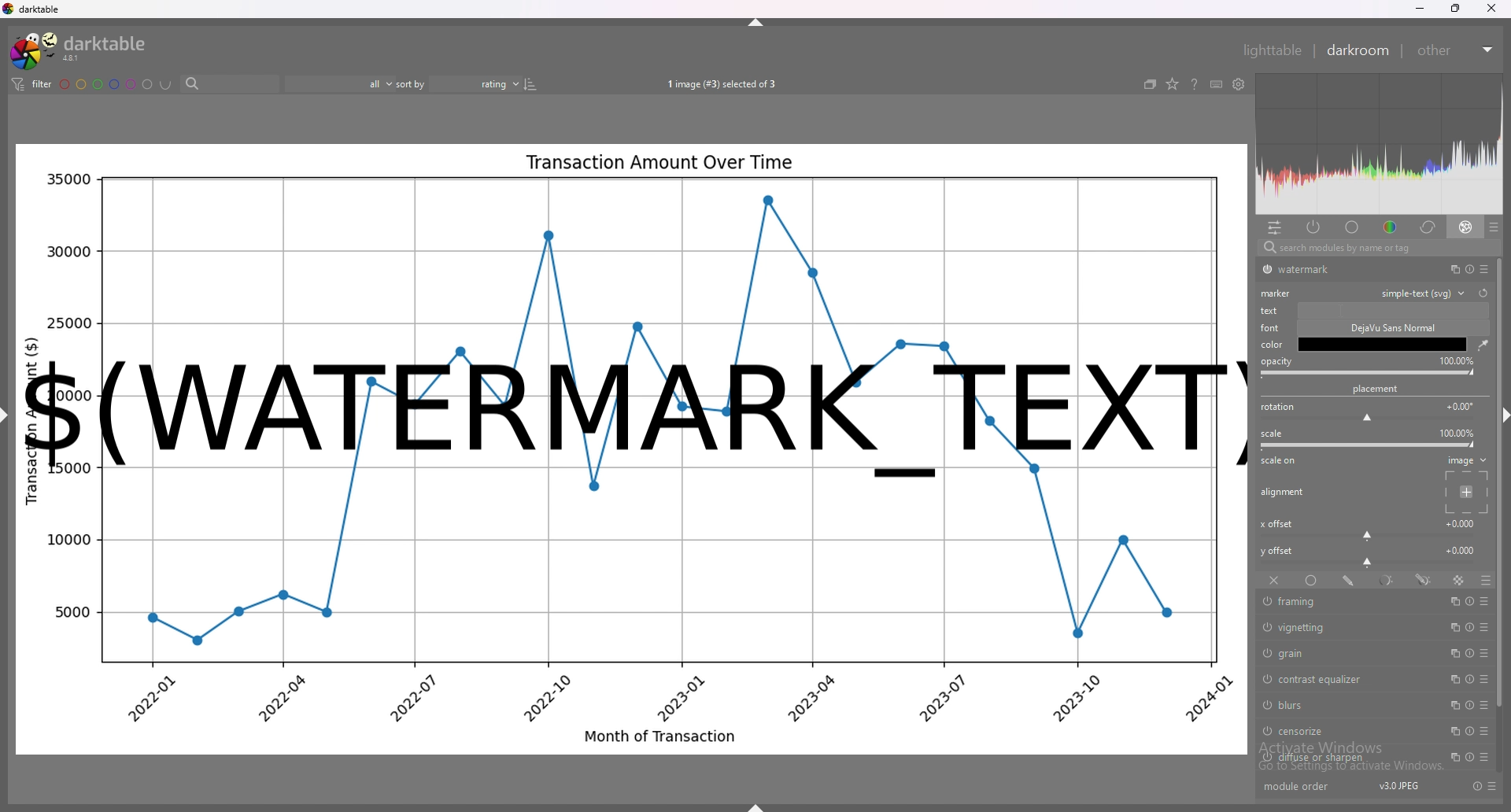 Image resolution: width=1511 pixels, height=812 pixels. I want to click on text, so click(1272, 311).